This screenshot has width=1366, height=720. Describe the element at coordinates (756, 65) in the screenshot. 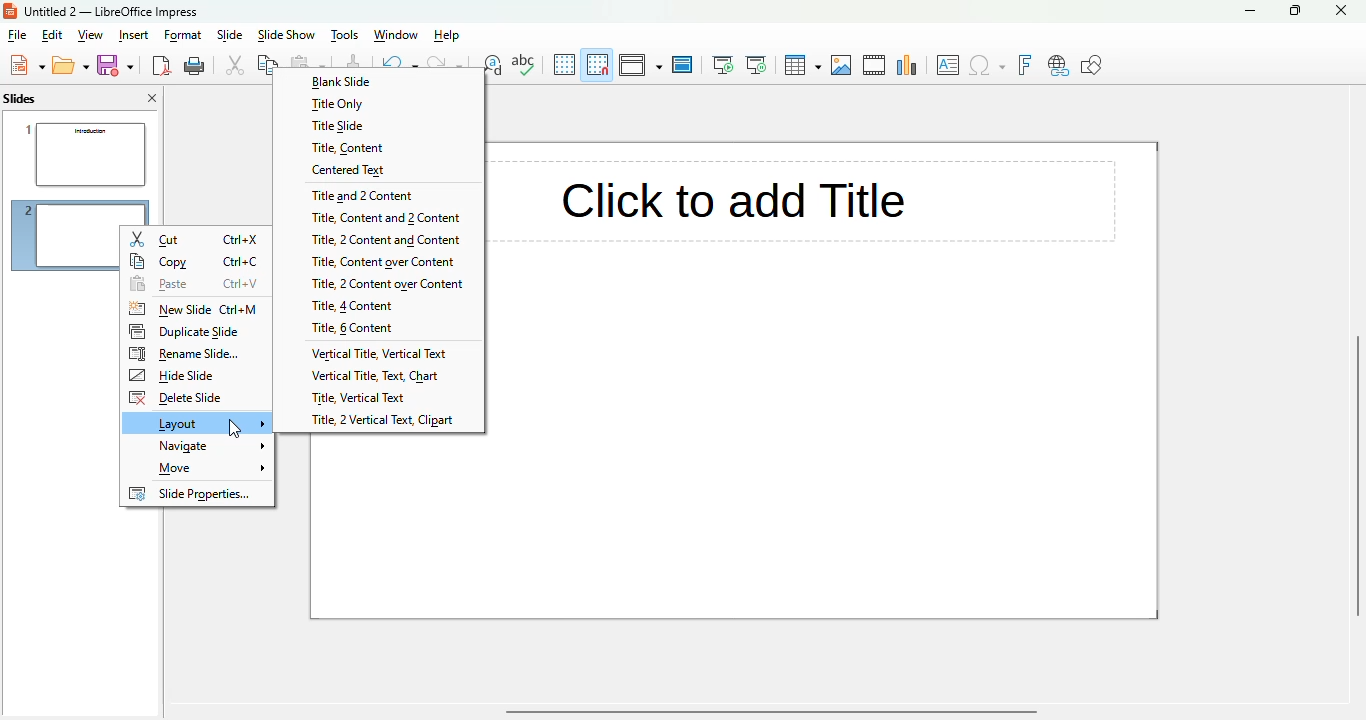

I see `start from current slide` at that location.